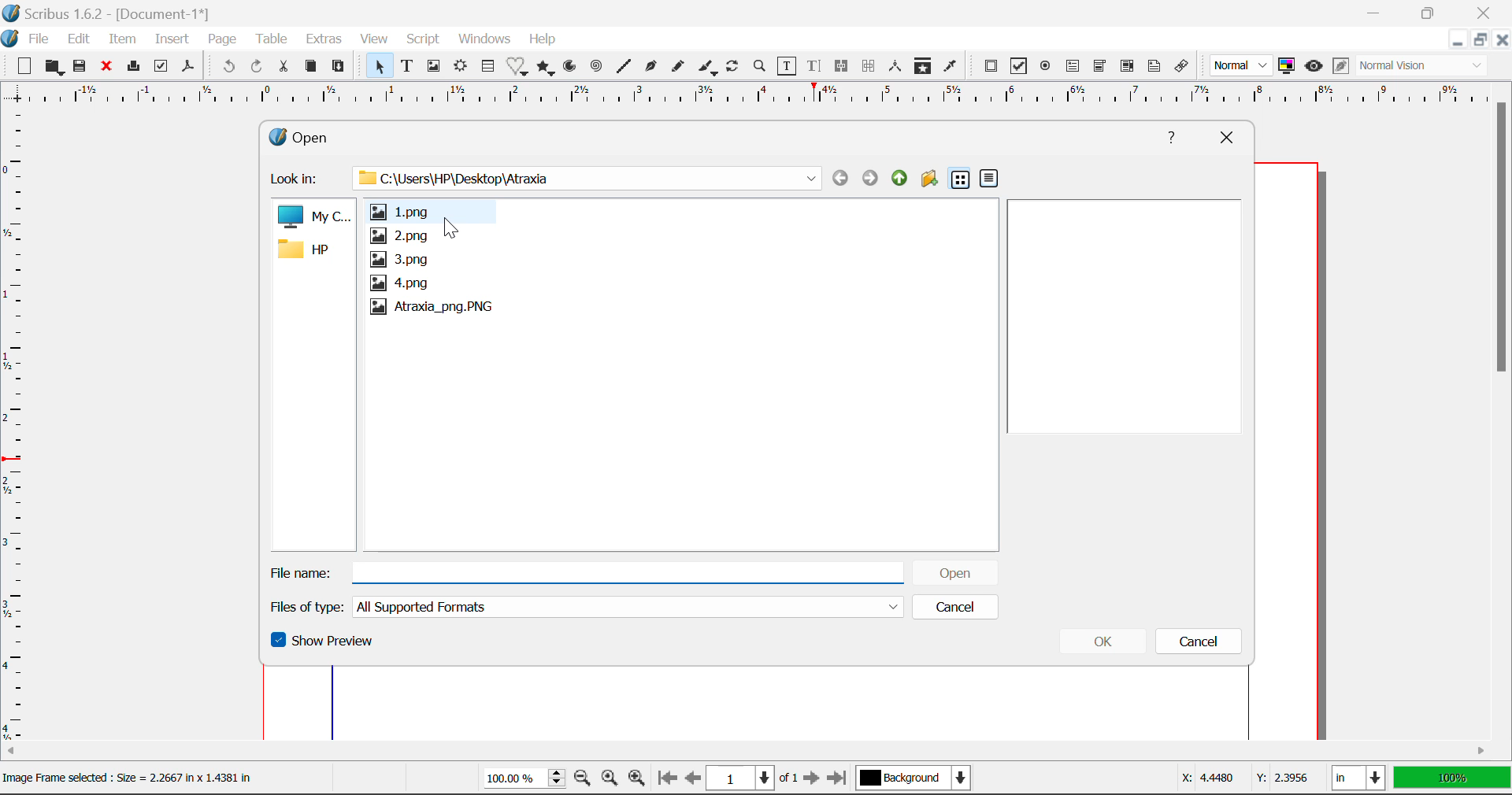  I want to click on 100%, so click(520, 780).